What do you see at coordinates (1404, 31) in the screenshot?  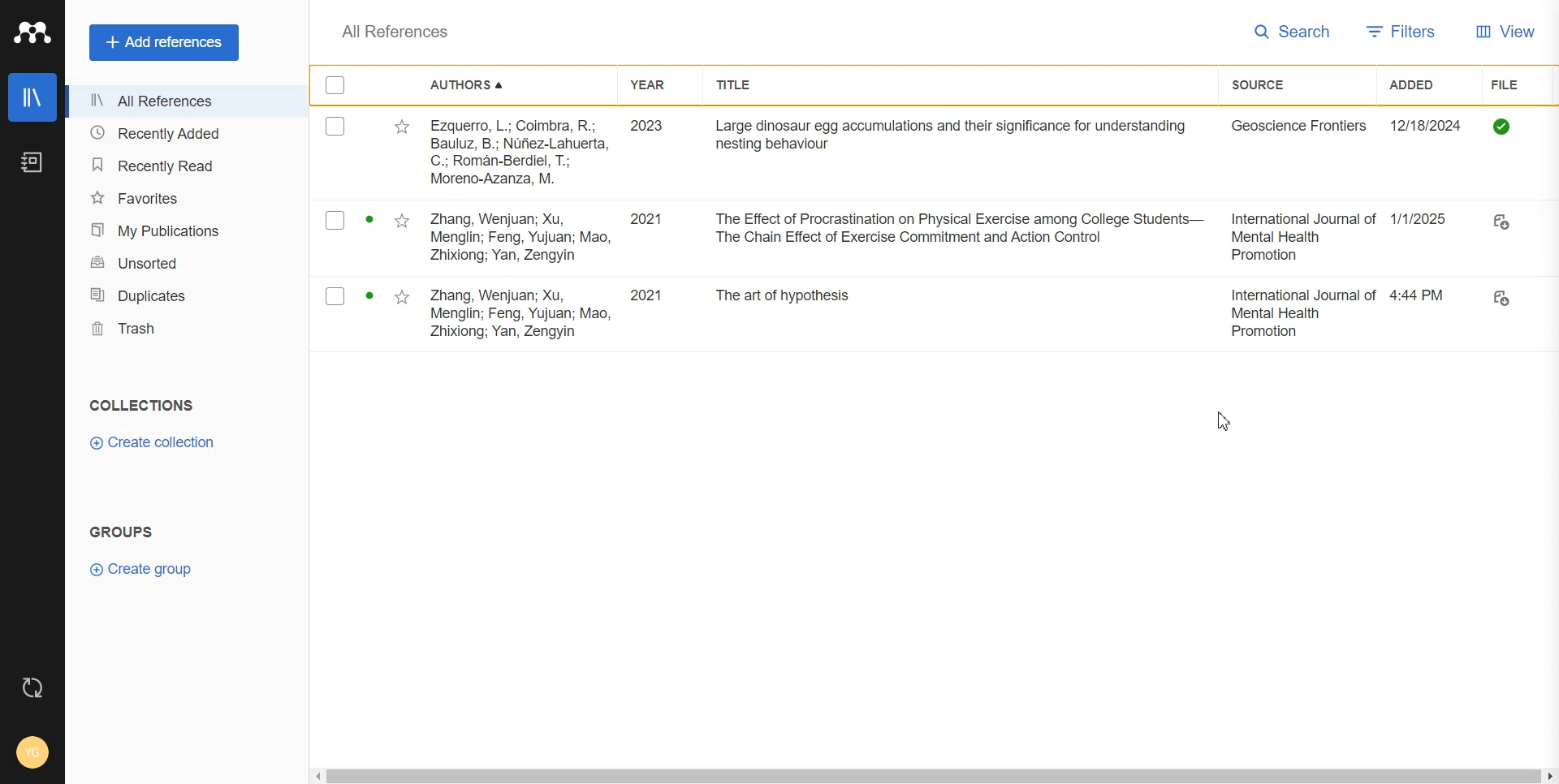 I see `Filters` at bounding box center [1404, 31].